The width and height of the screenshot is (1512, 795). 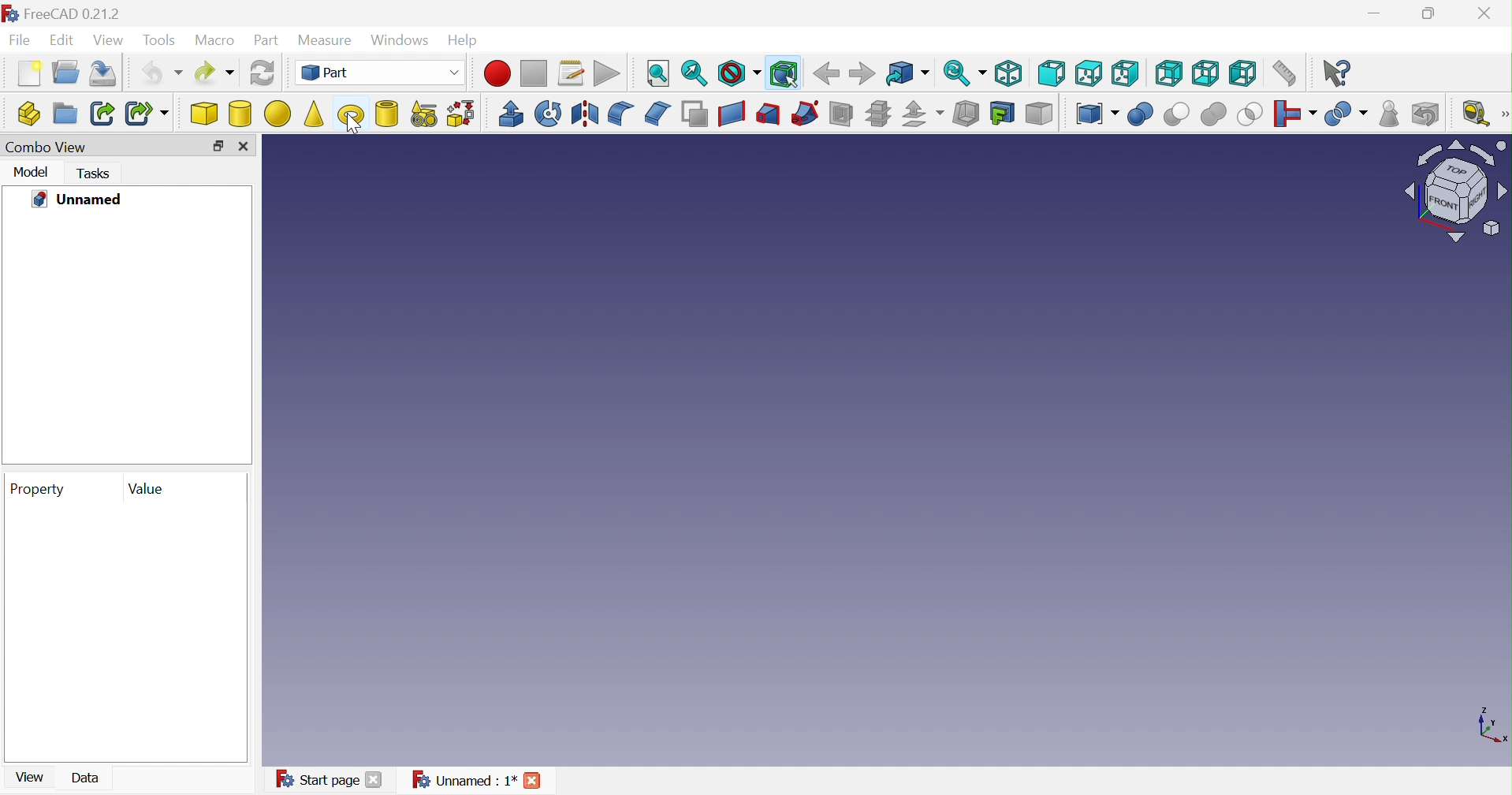 I want to click on Bounding box, so click(x=780, y=74).